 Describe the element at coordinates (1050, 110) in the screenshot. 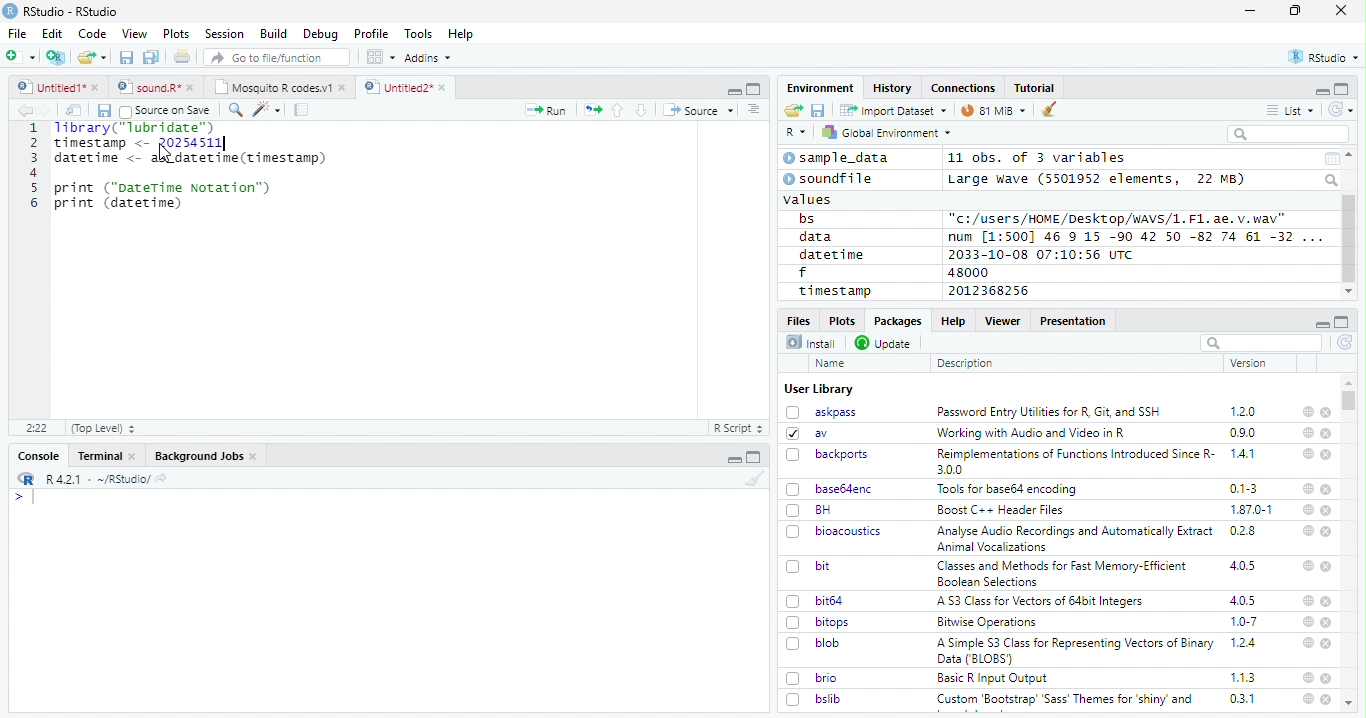

I see `clear workspace` at that location.